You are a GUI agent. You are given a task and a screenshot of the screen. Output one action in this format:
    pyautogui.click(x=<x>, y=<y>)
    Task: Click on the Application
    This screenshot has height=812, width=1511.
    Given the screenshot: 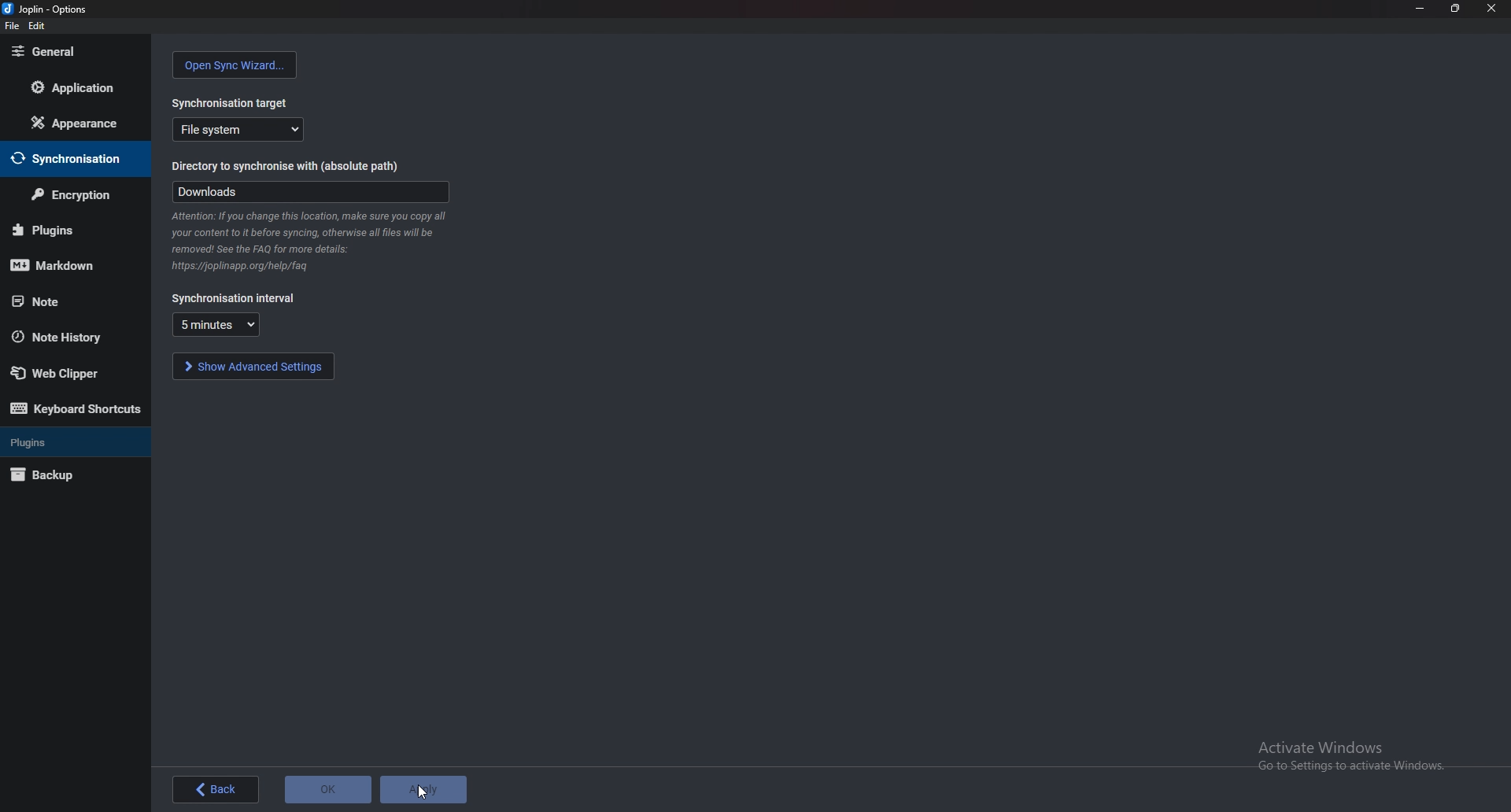 What is the action you would take?
    pyautogui.click(x=75, y=90)
    